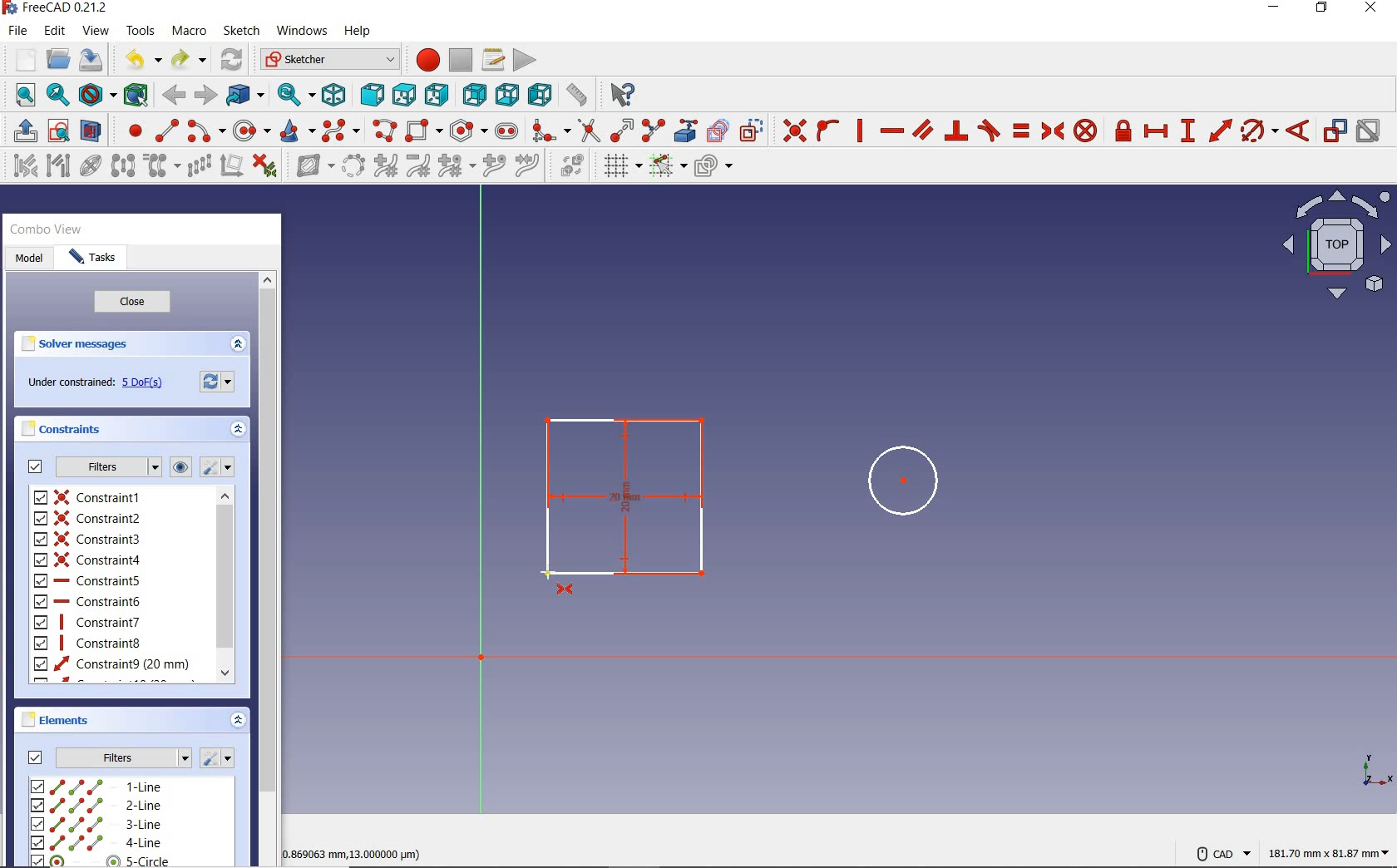 This screenshot has height=868, width=1397. I want to click on 5 DoF(s), so click(145, 385).